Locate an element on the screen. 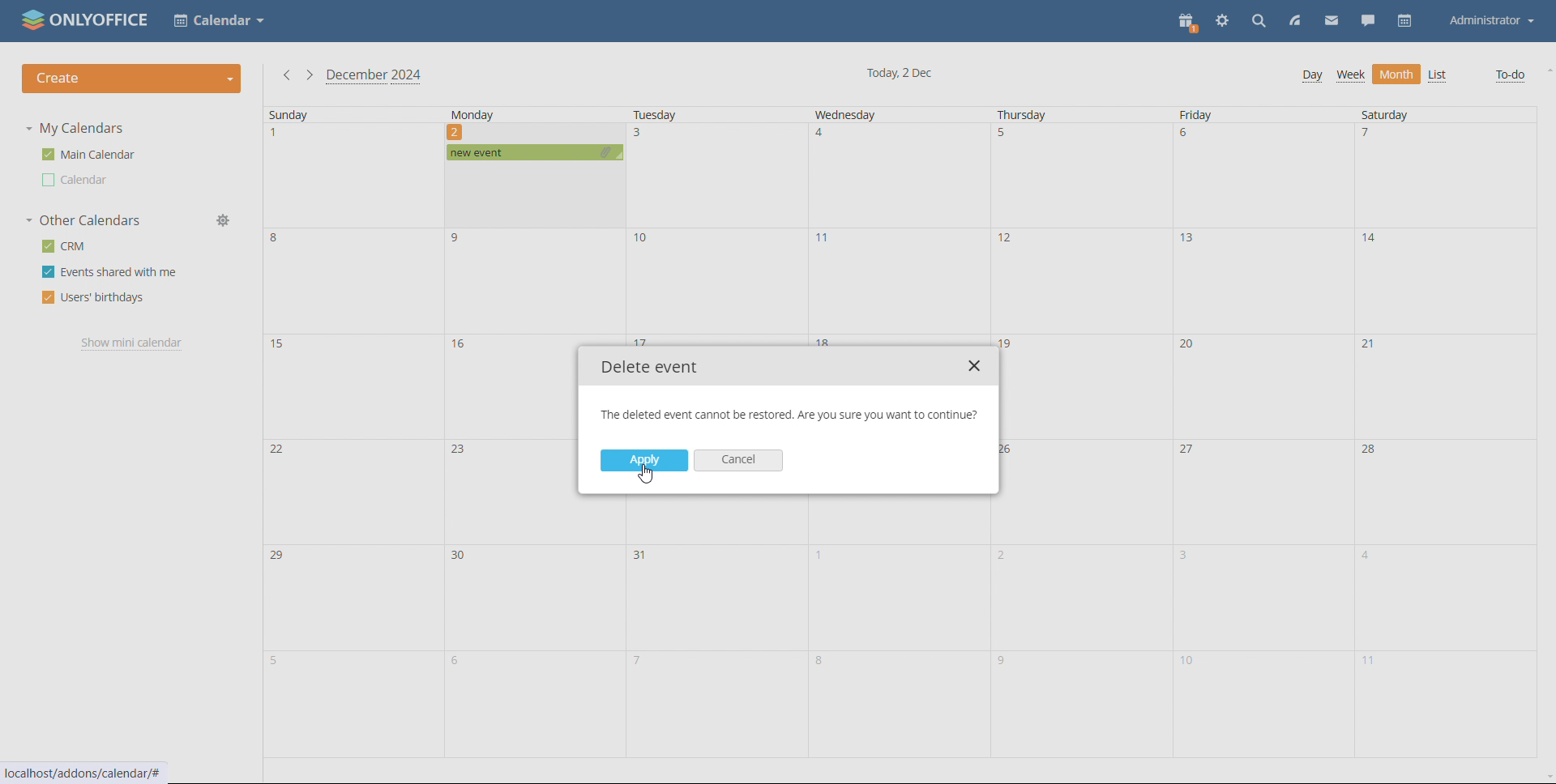 The image size is (1556, 784). settings is located at coordinates (1222, 23).